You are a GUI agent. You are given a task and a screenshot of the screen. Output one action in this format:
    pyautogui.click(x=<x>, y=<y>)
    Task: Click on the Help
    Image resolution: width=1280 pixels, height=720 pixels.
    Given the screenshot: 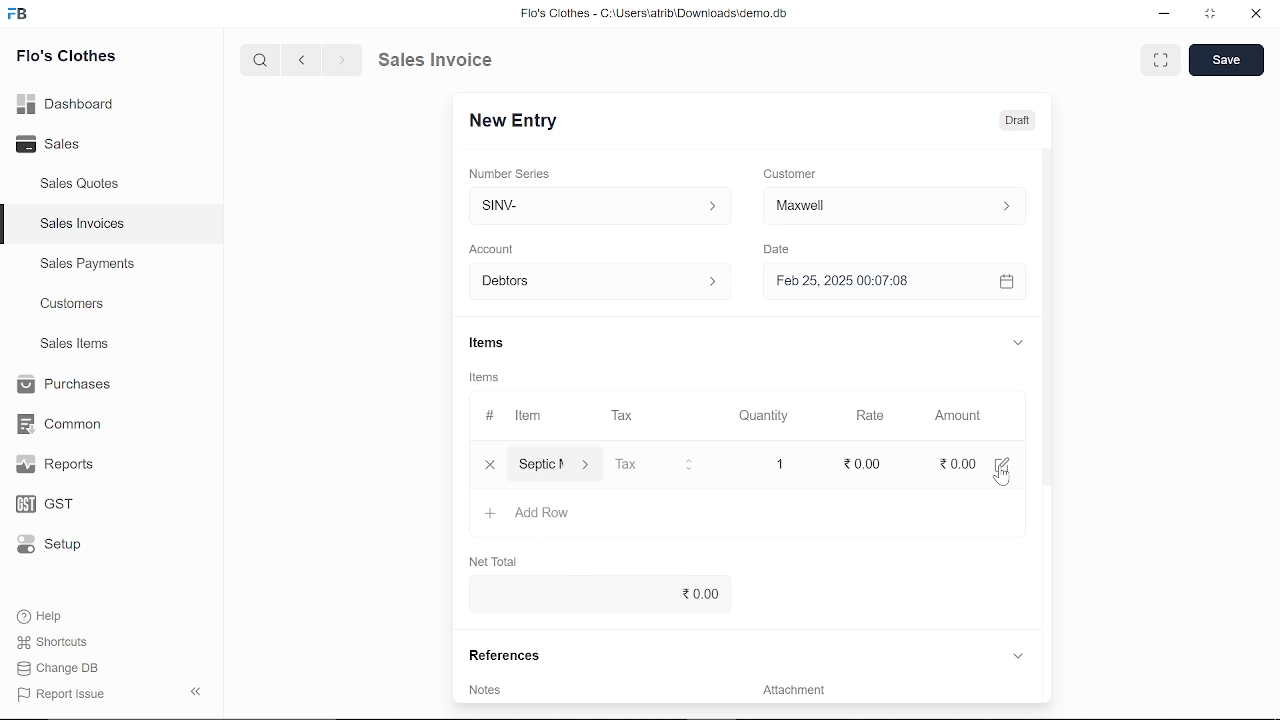 What is the action you would take?
    pyautogui.click(x=42, y=616)
    